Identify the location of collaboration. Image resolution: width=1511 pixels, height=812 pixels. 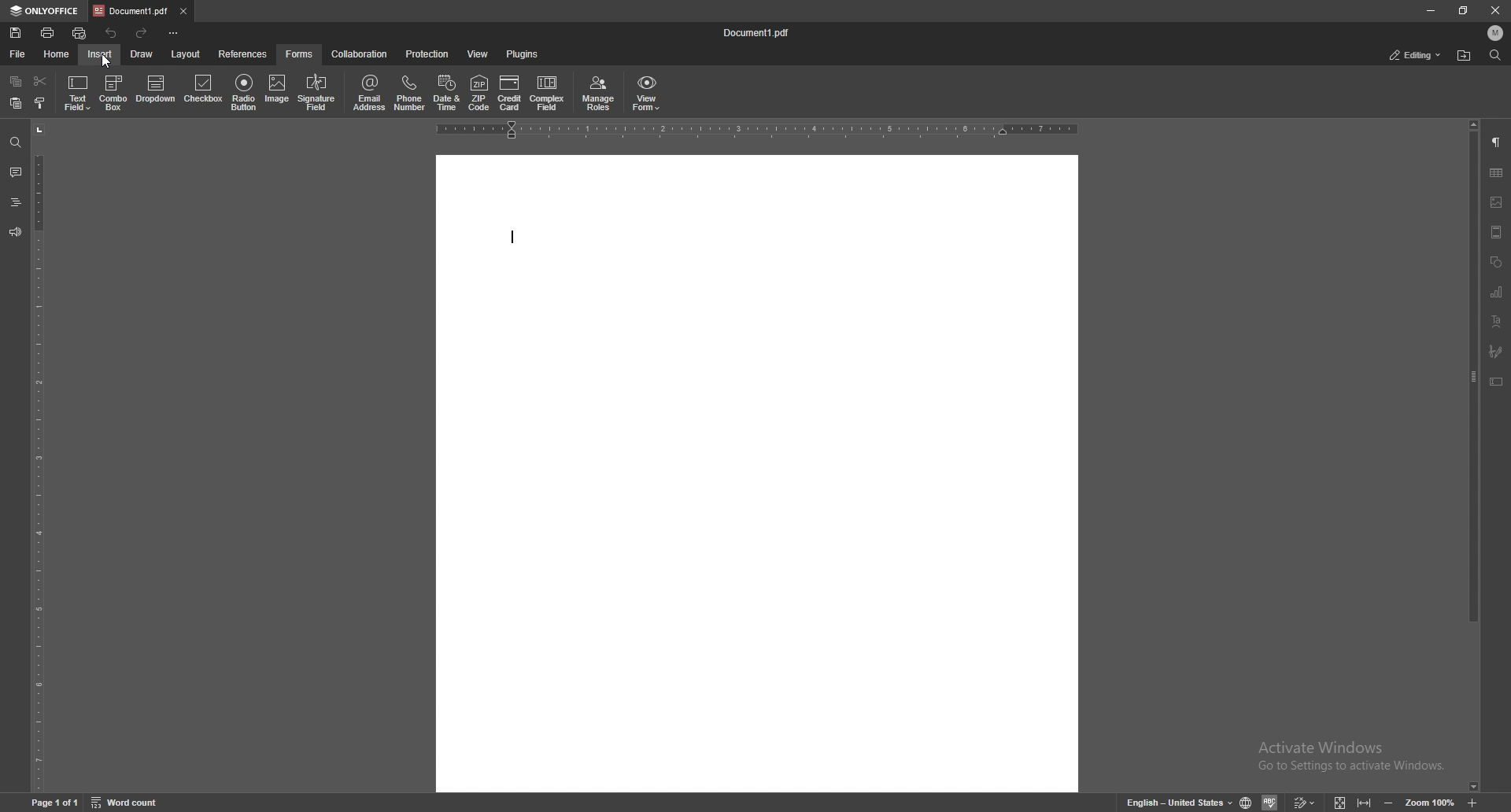
(359, 53).